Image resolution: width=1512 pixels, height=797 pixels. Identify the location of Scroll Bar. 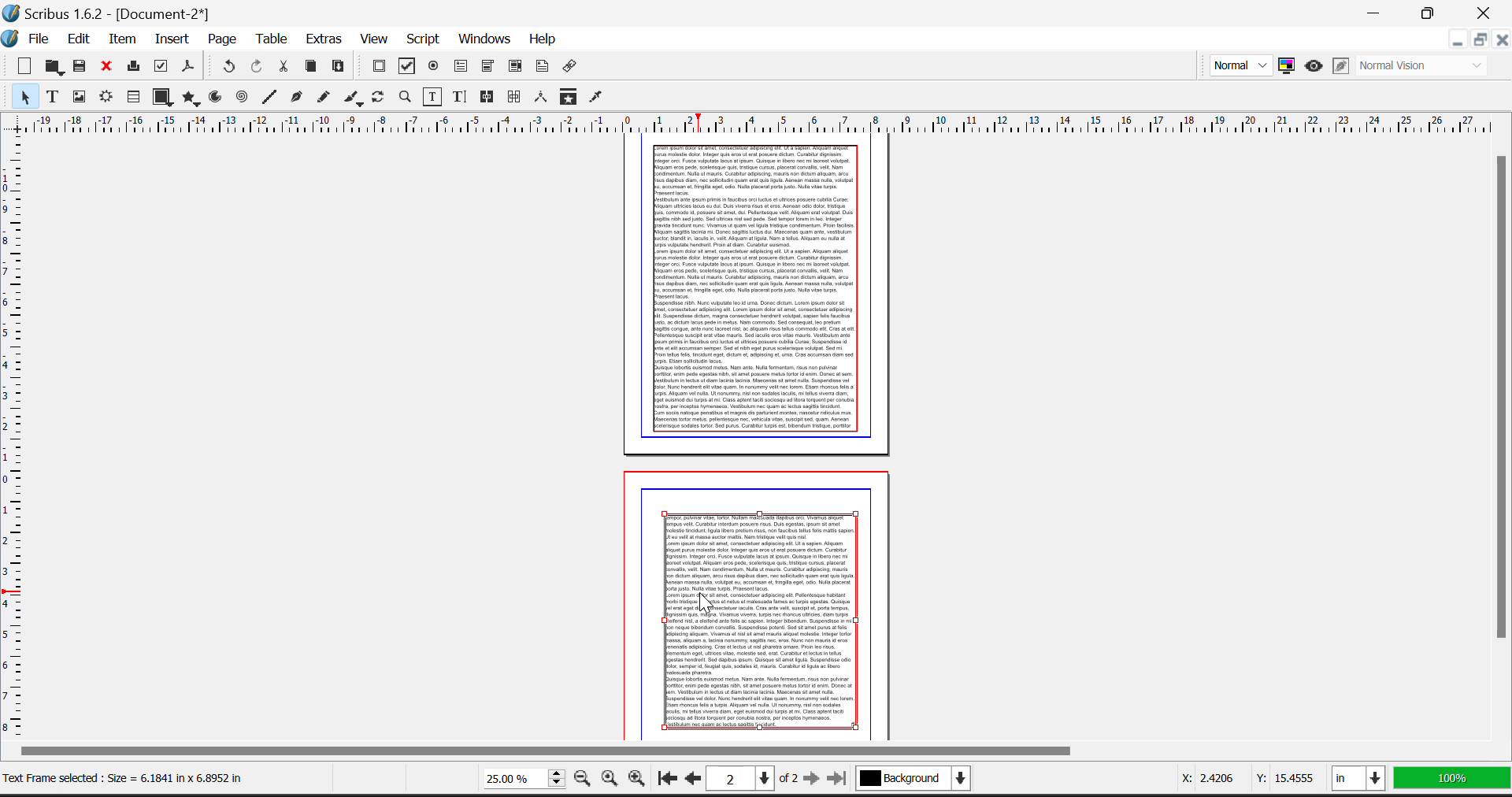
(1503, 444).